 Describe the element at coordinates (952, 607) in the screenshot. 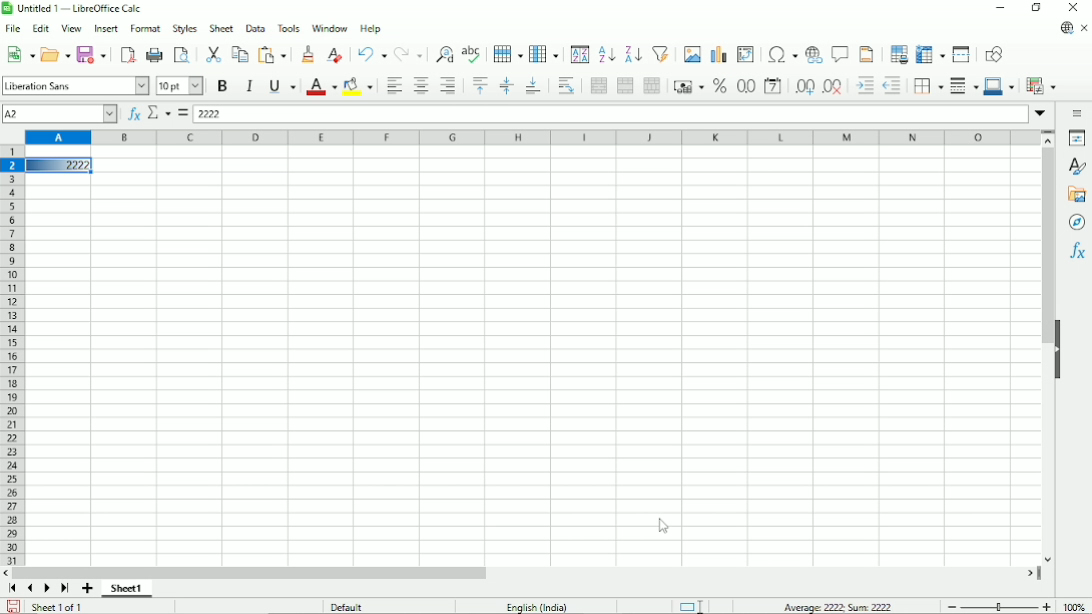

I see `zoom out` at that location.